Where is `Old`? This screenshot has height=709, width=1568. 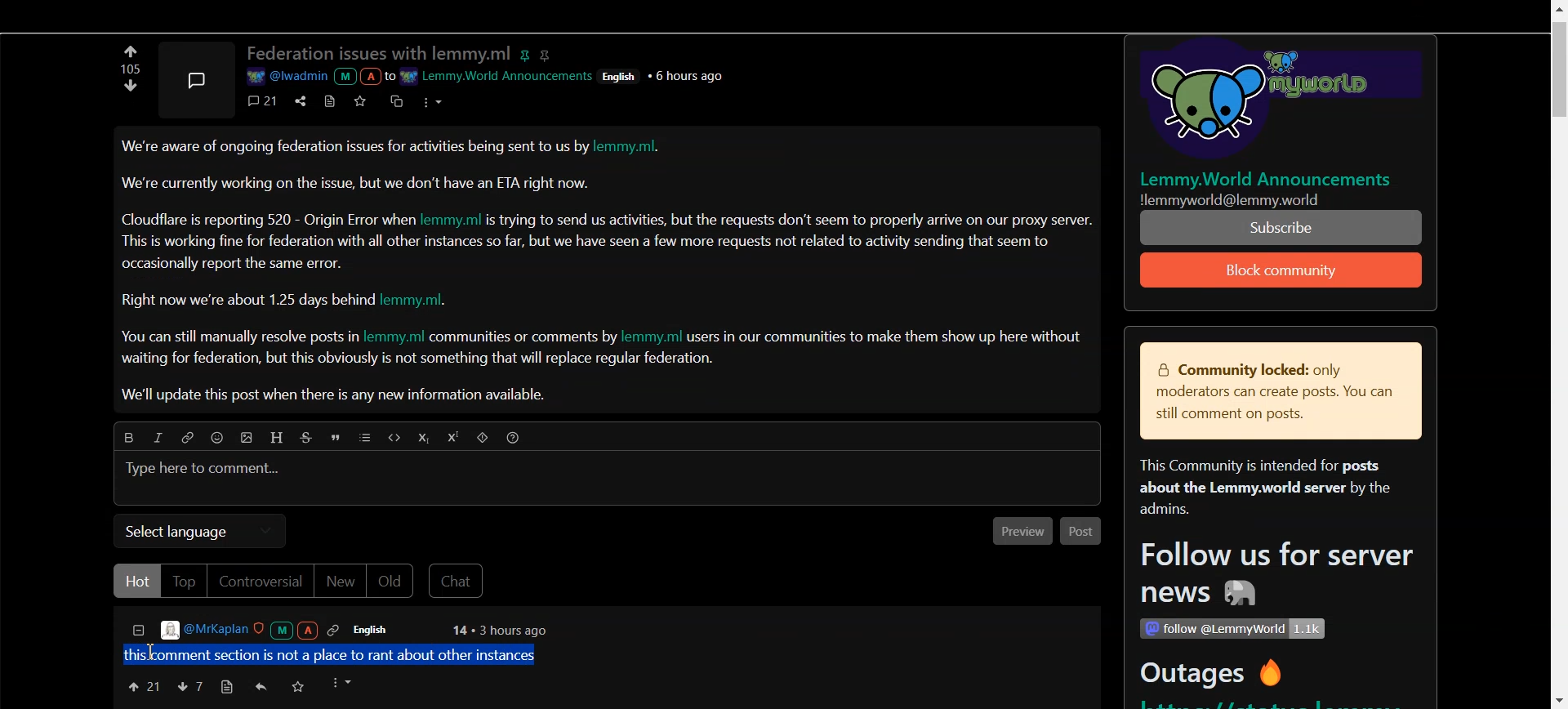 Old is located at coordinates (393, 582).